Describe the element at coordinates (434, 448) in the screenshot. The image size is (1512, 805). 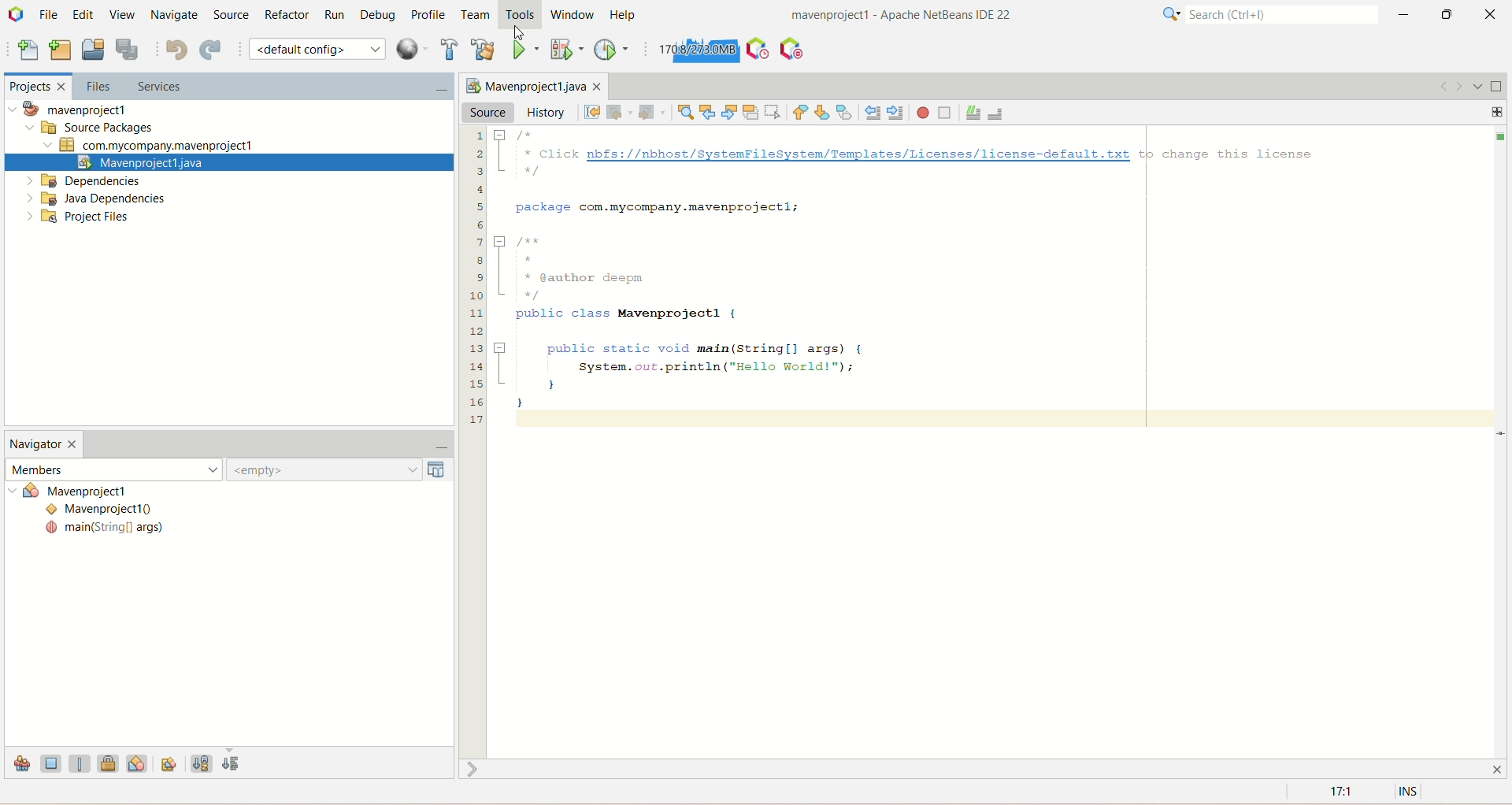
I see `minimize` at that location.